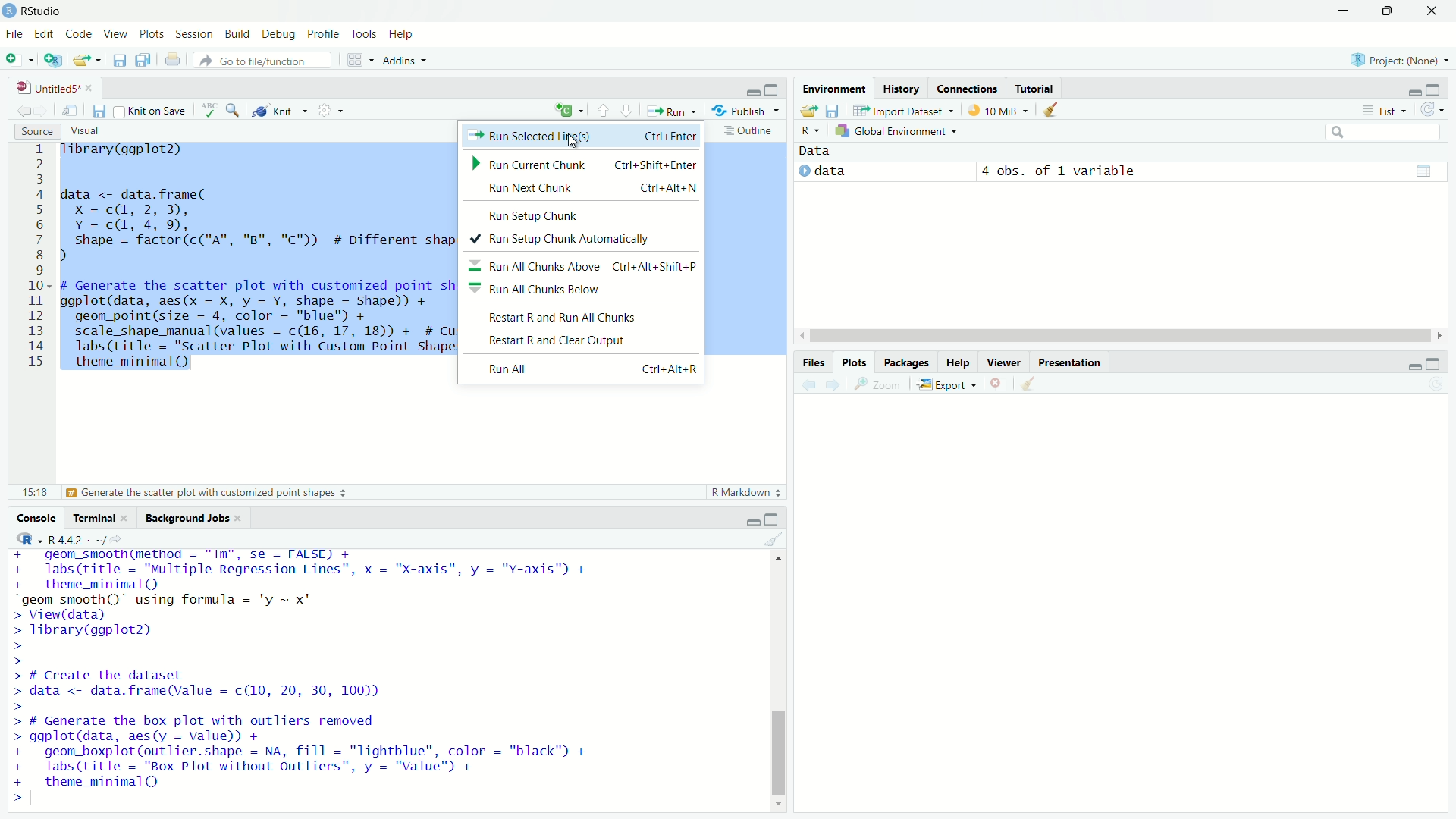 The height and width of the screenshot is (819, 1456). What do you see at coordinates (33, 10) in the screenshot?
I see `RStudio` at bounding box center [33, 10].